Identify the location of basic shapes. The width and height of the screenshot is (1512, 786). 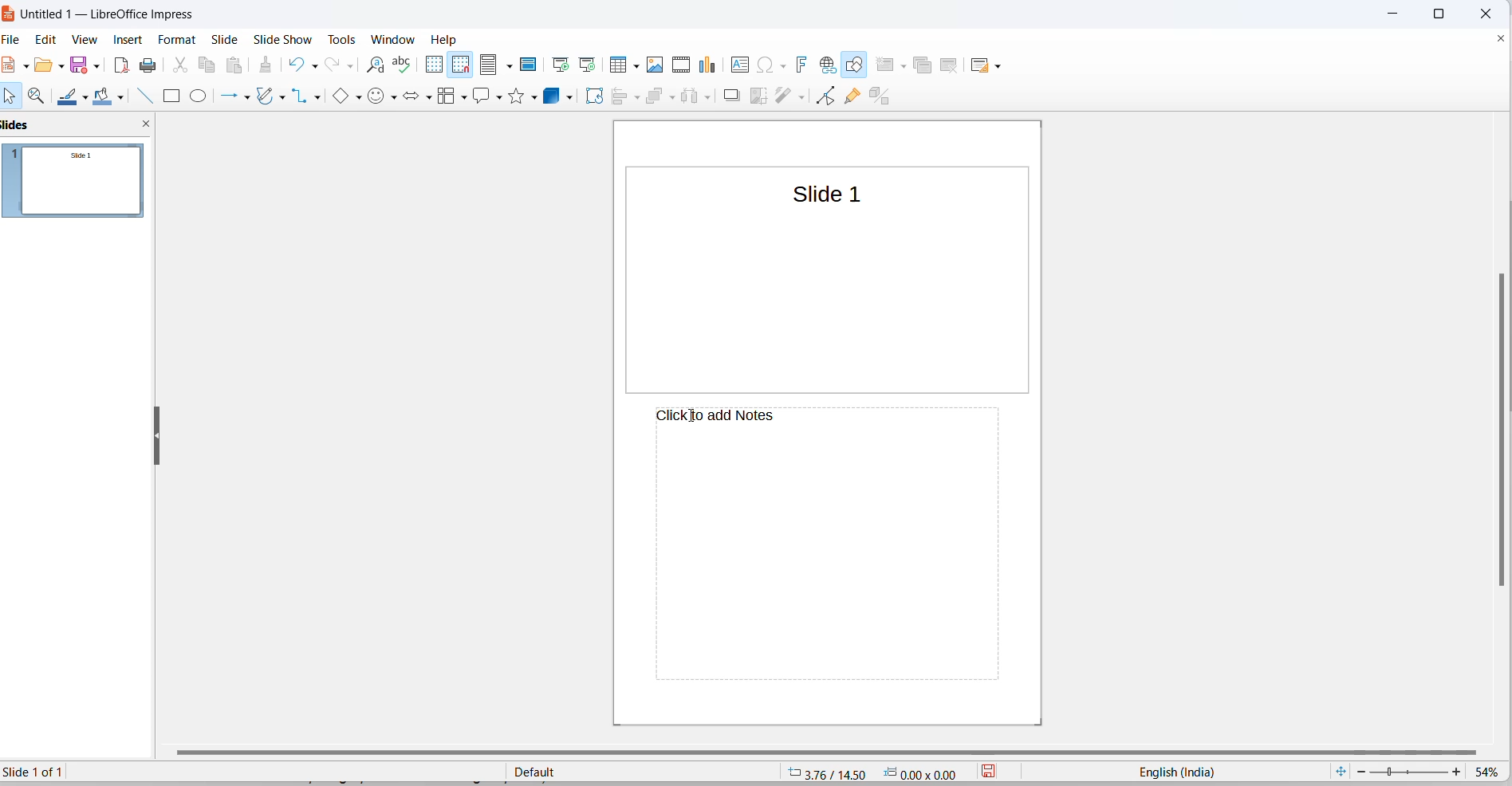
(343, 96).